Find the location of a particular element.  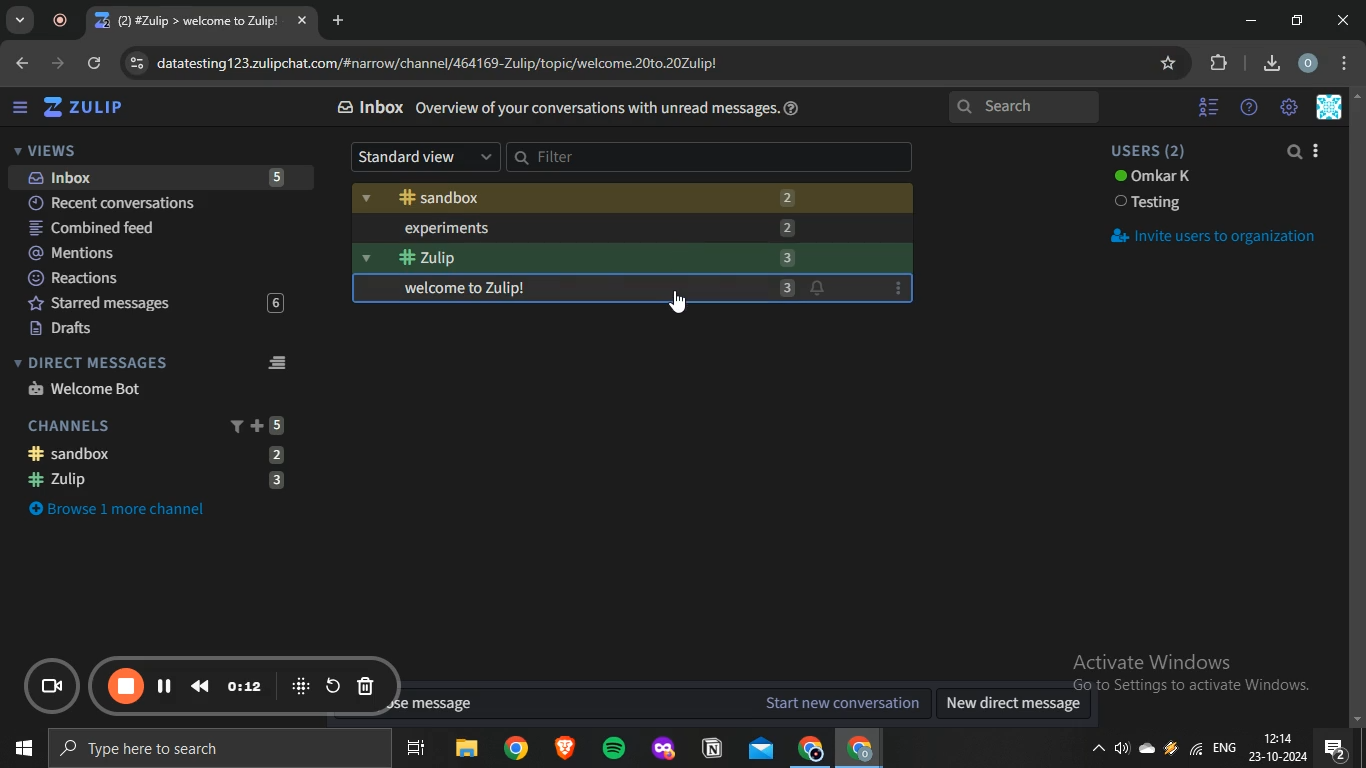

new tab is located at coordinates (341, 20).